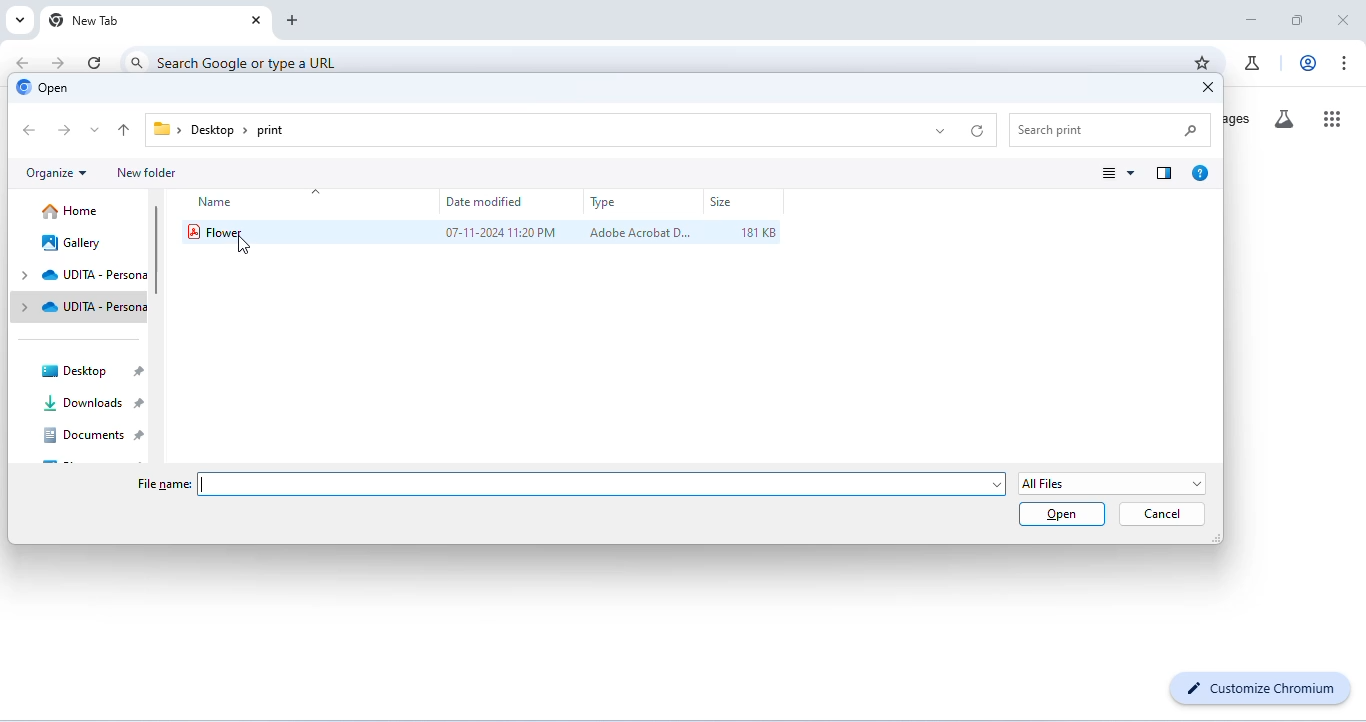 This screenshot has width=1366, height=722. Describe the element at coordinates (1200, 63) in the screenshot. I see `add bookmarks` at that location.